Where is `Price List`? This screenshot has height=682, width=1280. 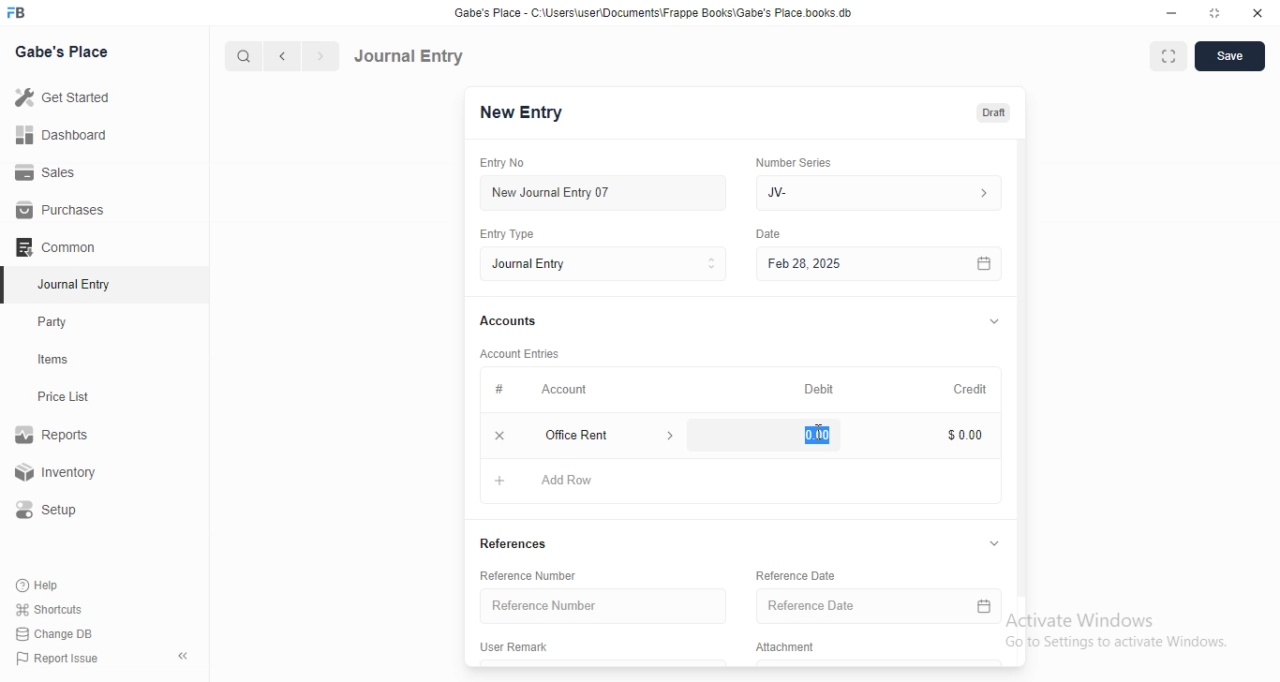
Price List is located at coordinates (62, 397).